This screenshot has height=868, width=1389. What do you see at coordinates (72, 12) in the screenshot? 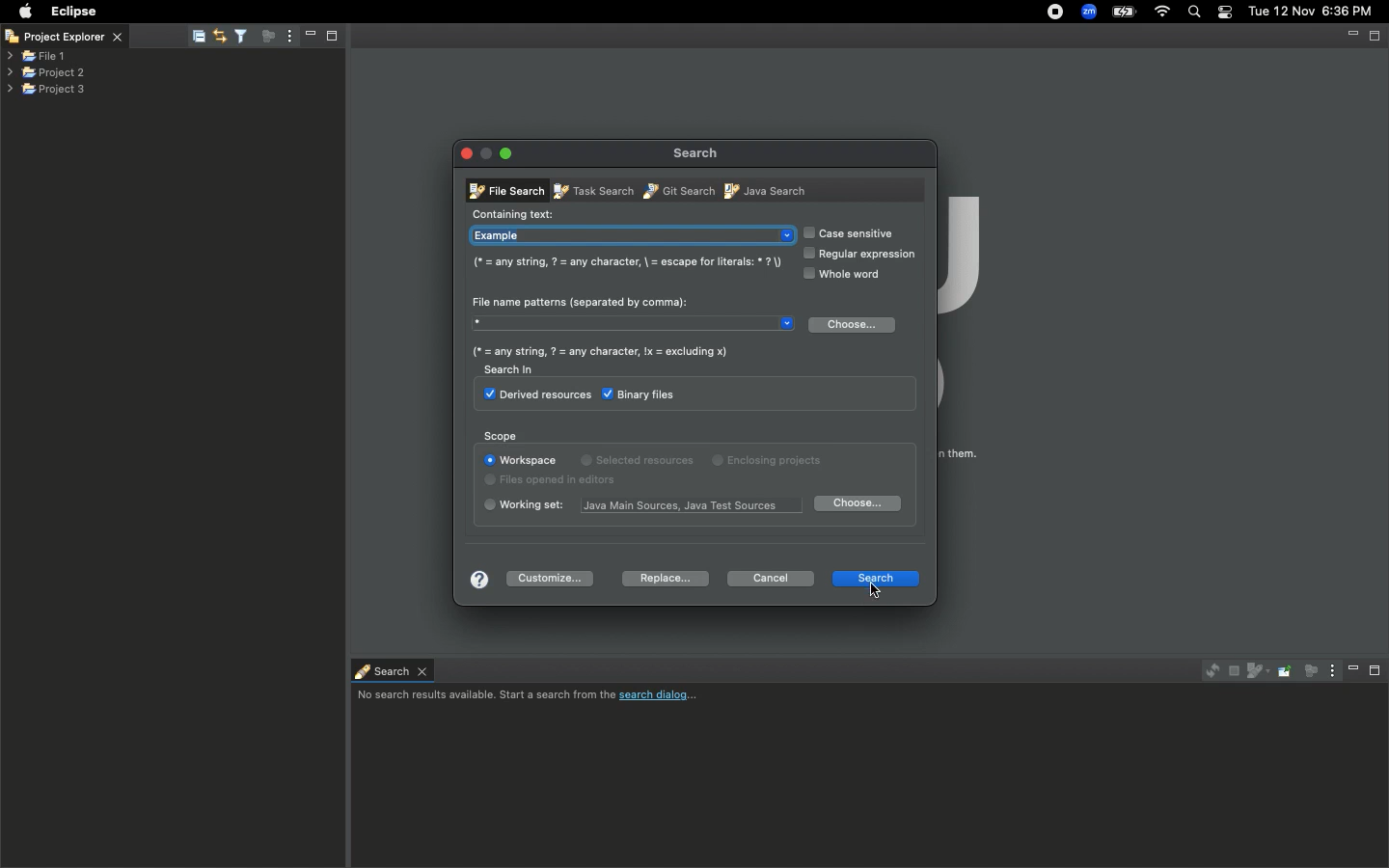
I see `Eclipse` at bounding box center [72, 12].